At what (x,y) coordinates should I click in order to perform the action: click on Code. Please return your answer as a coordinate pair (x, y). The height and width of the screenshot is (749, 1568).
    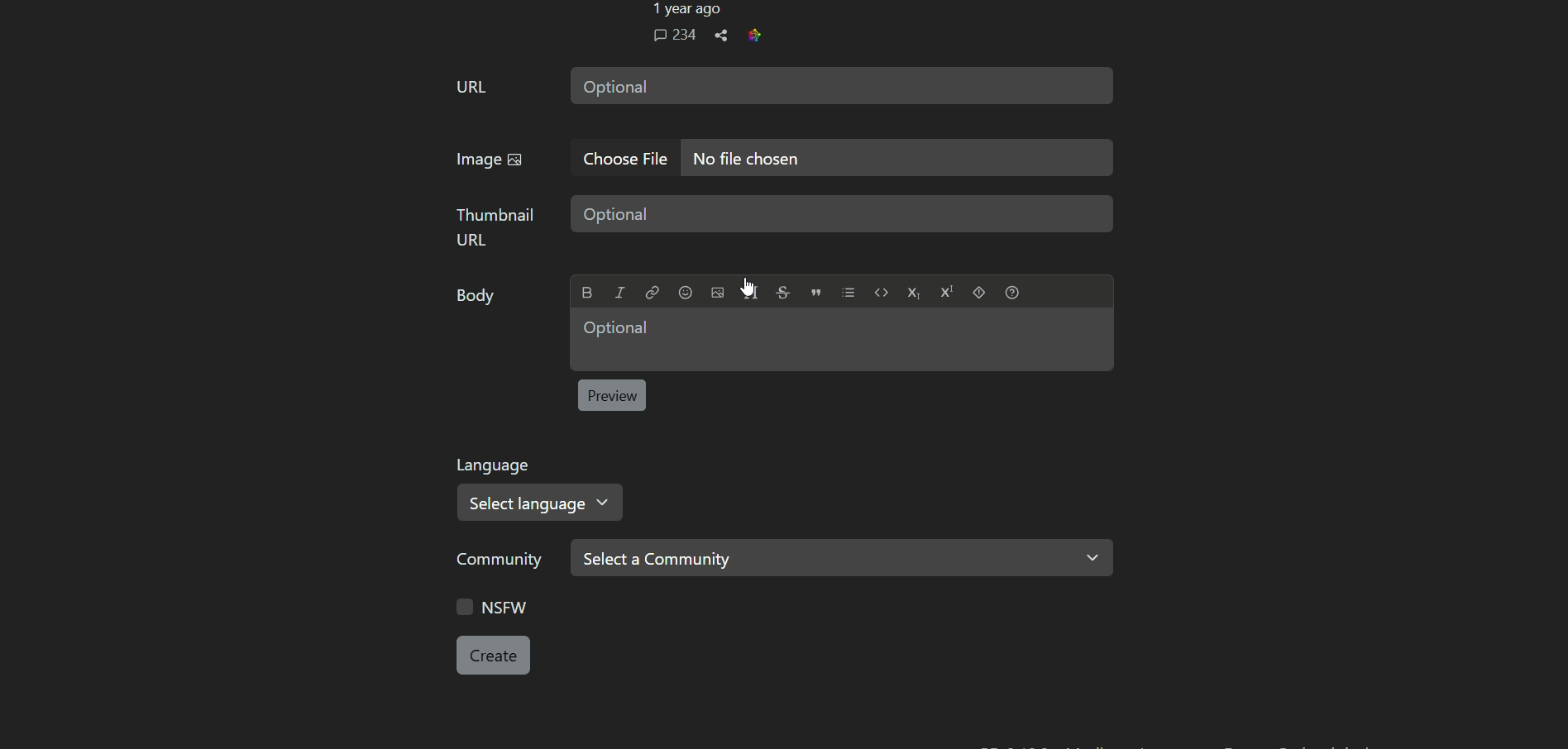
    Looking at the image, I should click on (882, 292).